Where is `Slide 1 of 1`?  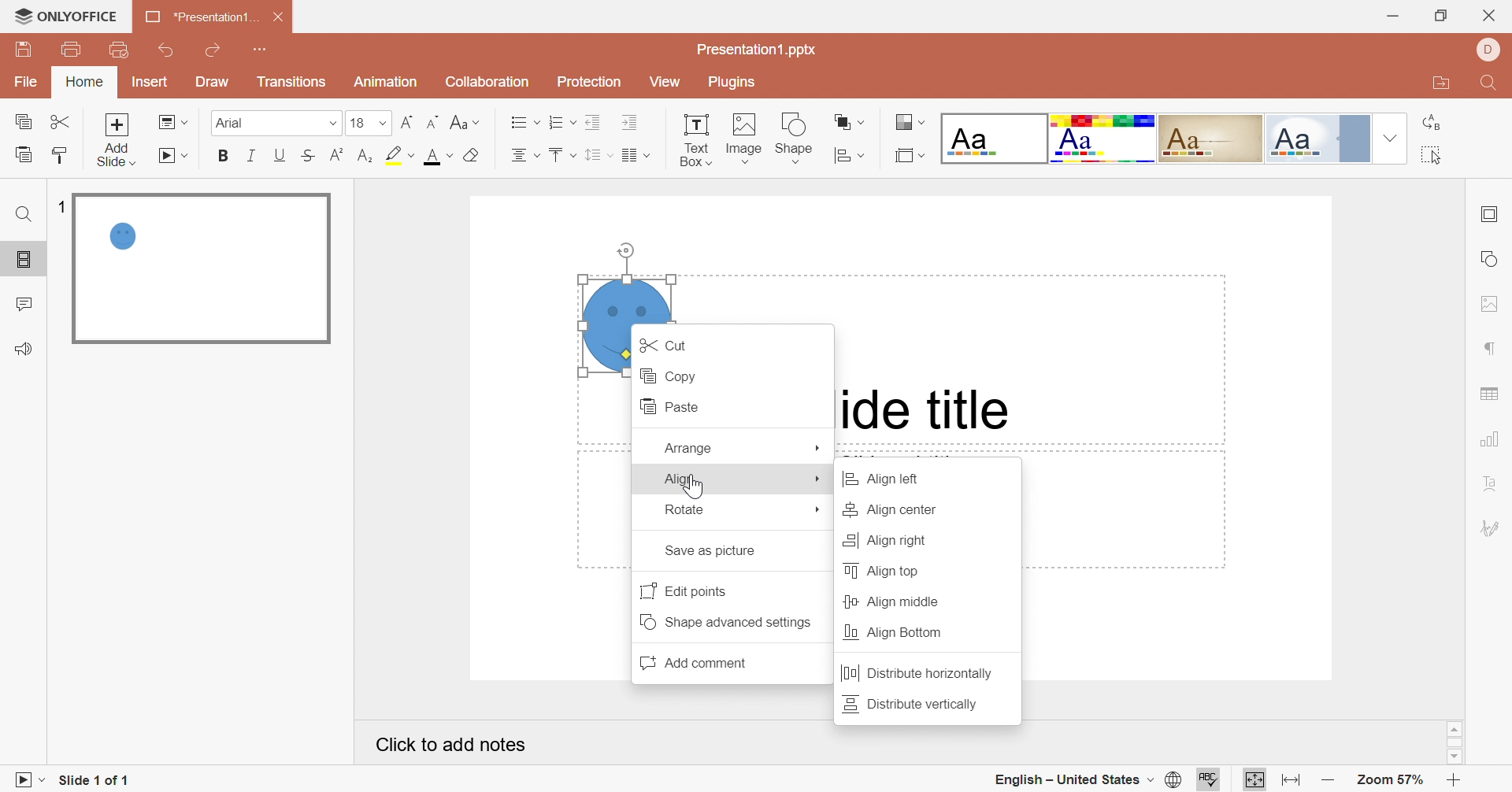 Slide 1 of 1 is located at coordinates (97, 779).